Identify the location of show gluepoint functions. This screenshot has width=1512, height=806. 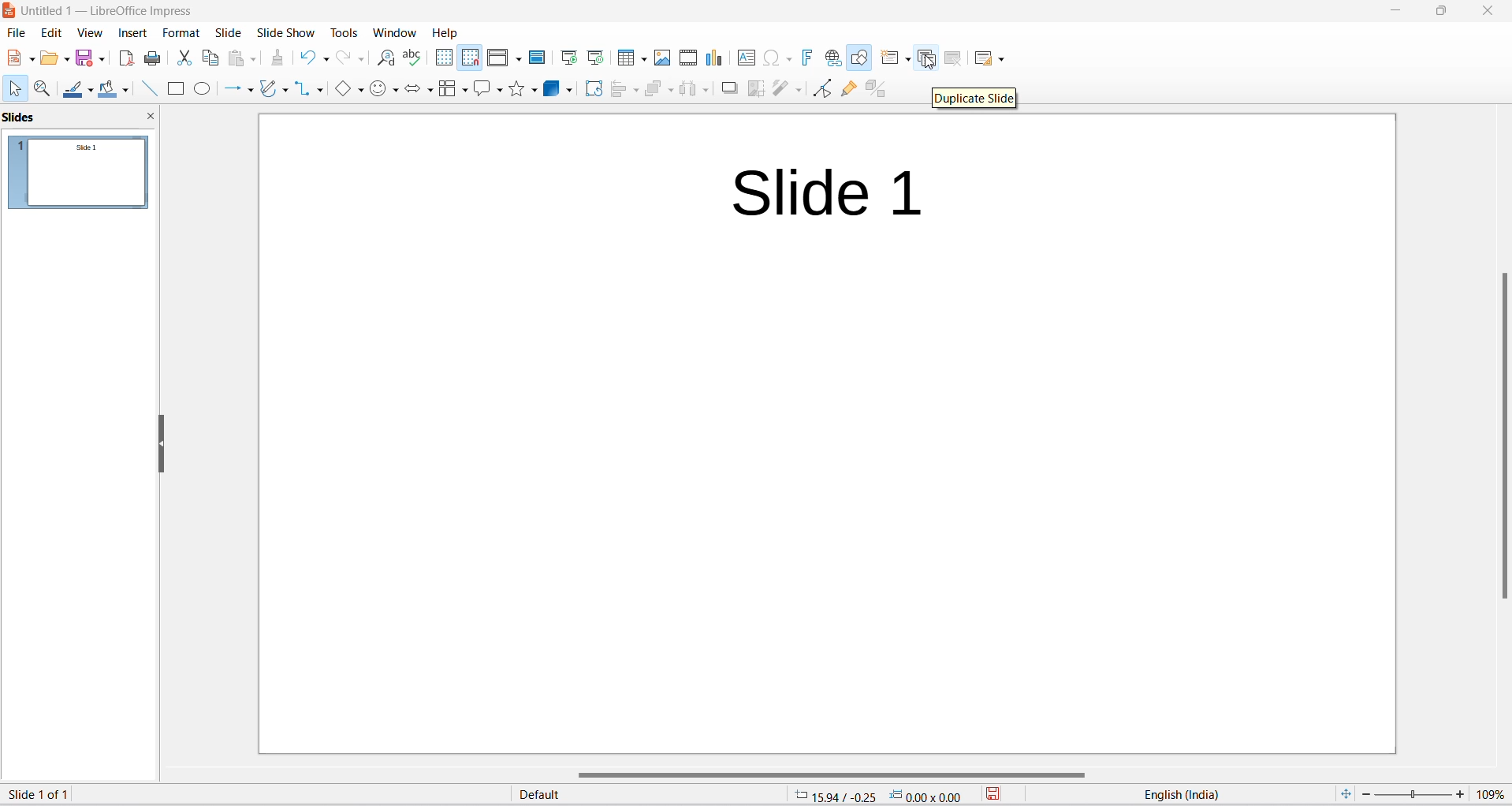
(847, 88).